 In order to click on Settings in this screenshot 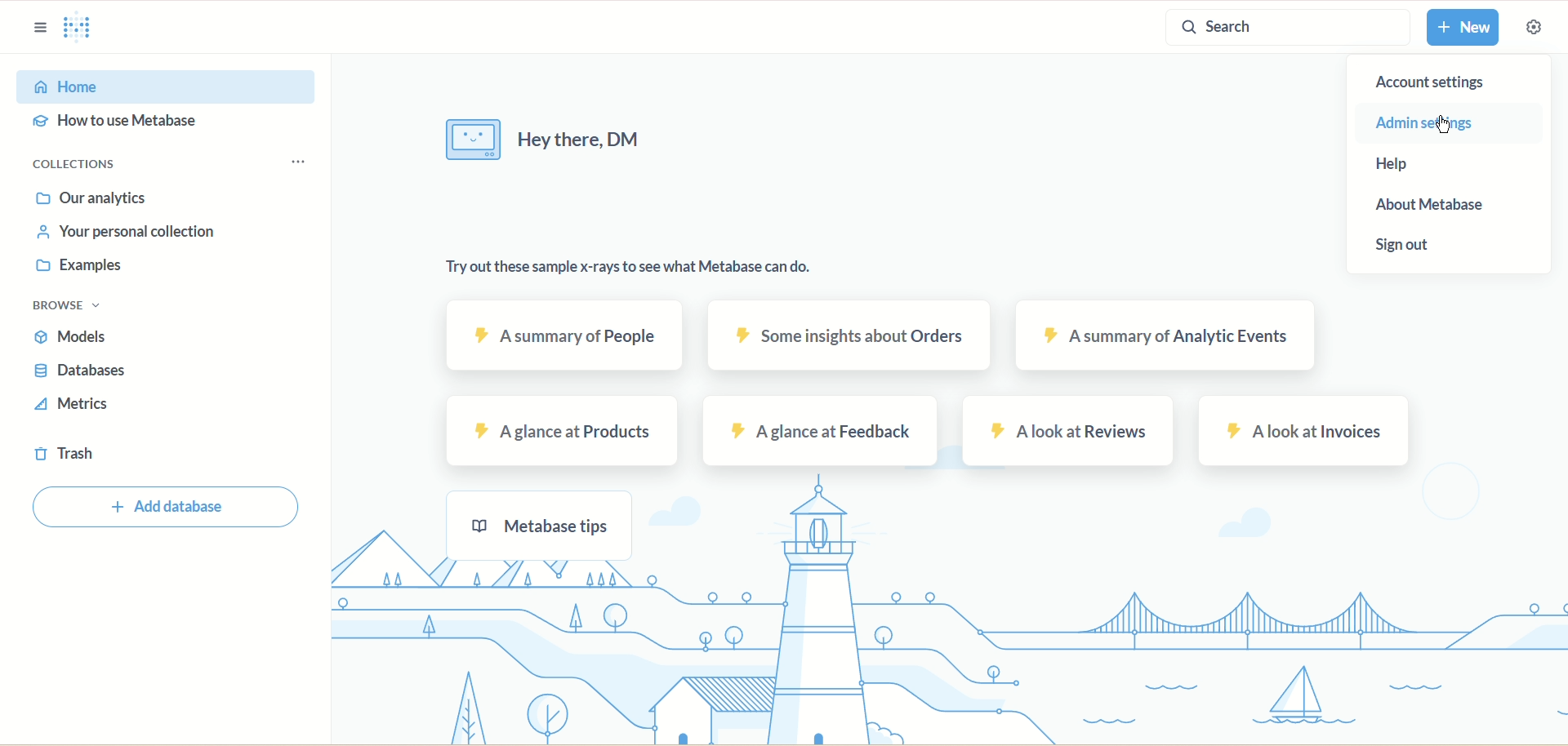, I will do `click(1537, 30)`.